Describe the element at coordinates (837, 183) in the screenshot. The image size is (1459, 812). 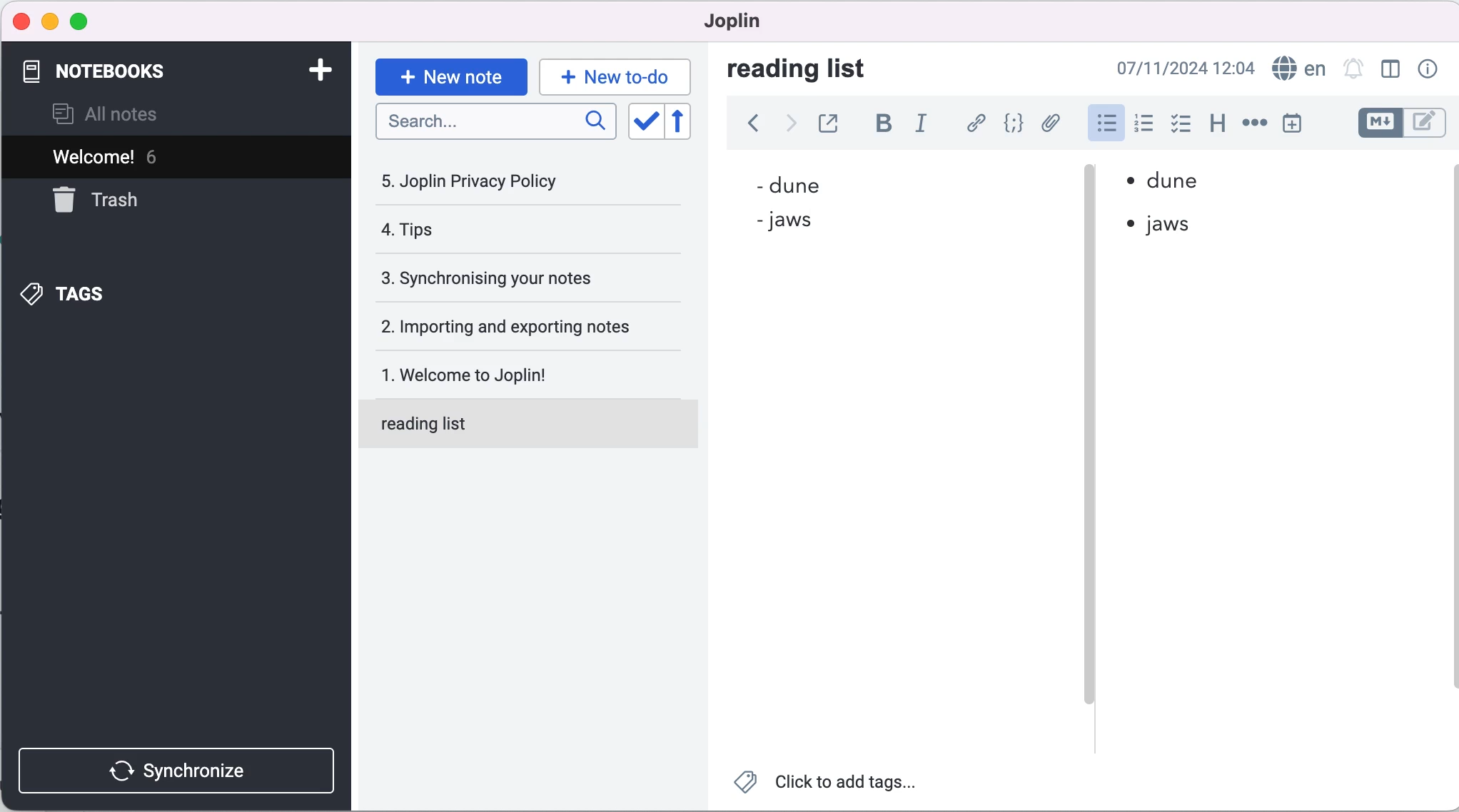
I see `dune` at that location.